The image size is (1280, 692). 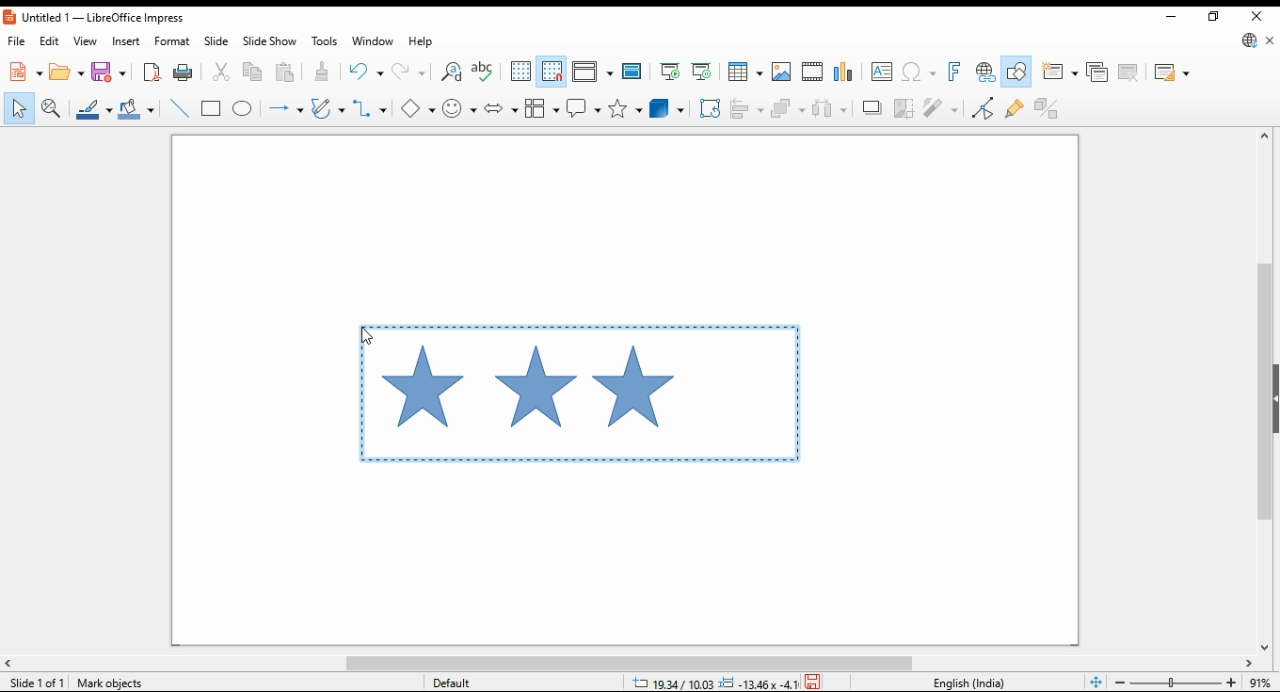 I want to click on master slide, so click(x=633, y=71).